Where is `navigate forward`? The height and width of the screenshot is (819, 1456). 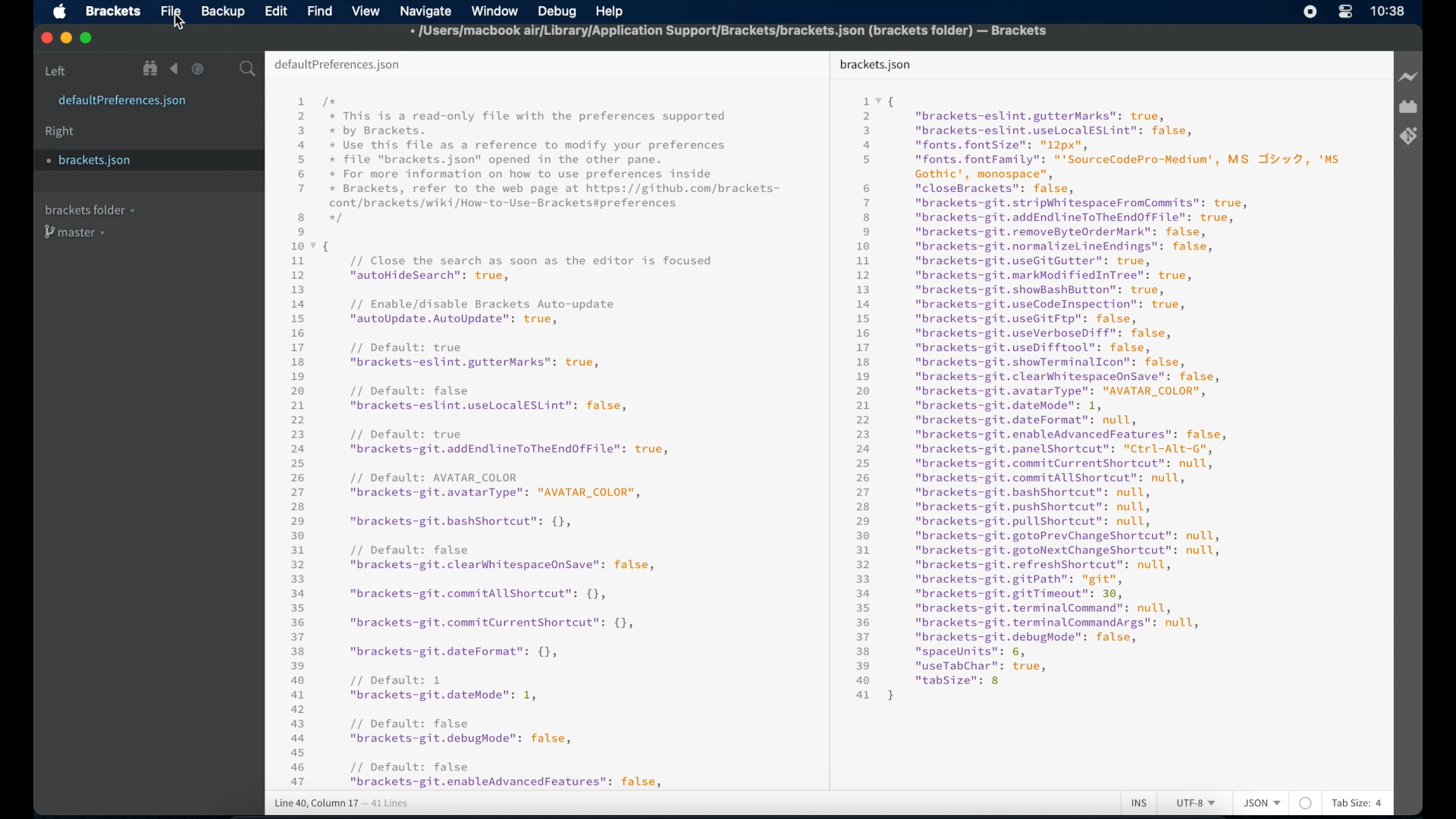
navigate forward is located at coordinates (198, 69).